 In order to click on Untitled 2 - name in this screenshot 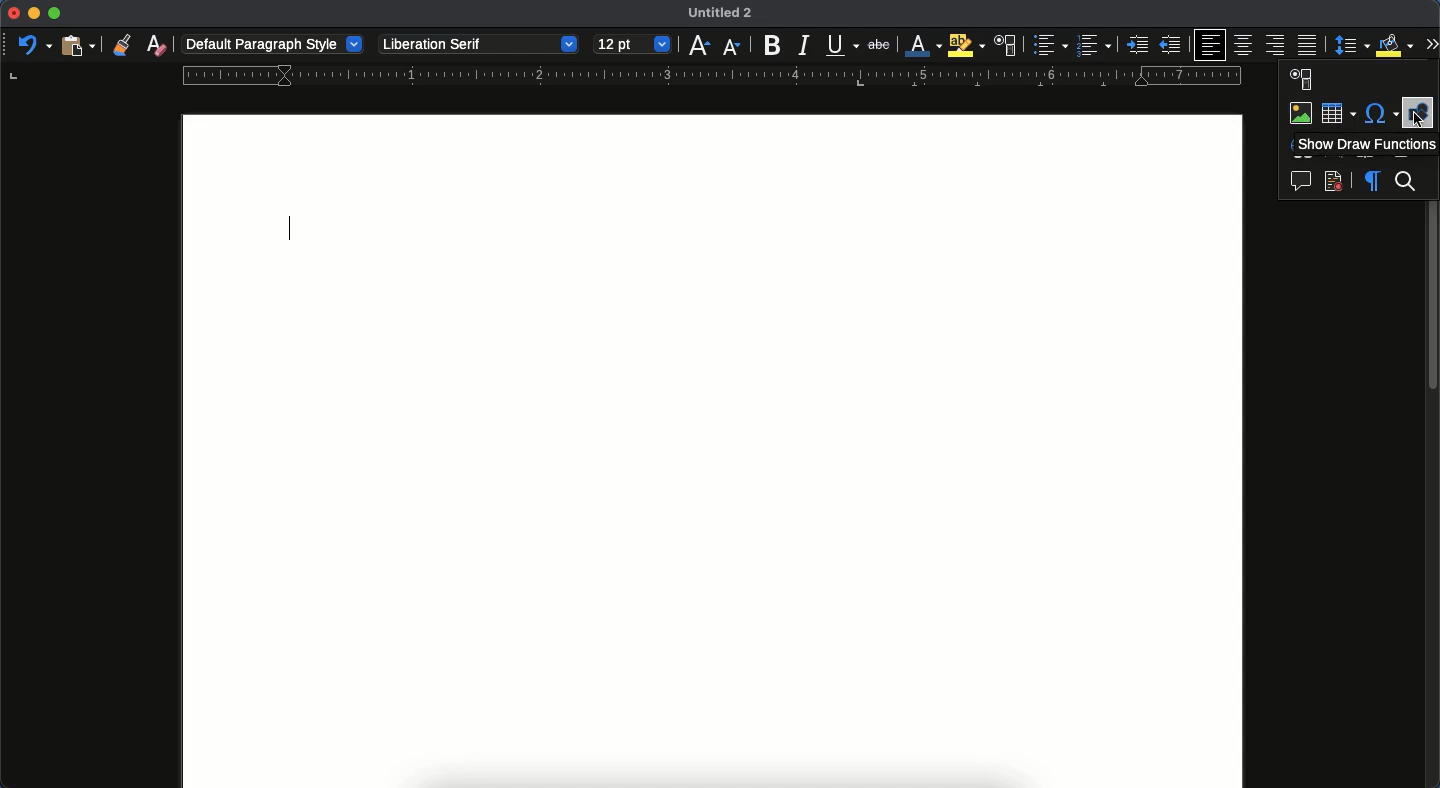, I will do `click(724, 14)`.